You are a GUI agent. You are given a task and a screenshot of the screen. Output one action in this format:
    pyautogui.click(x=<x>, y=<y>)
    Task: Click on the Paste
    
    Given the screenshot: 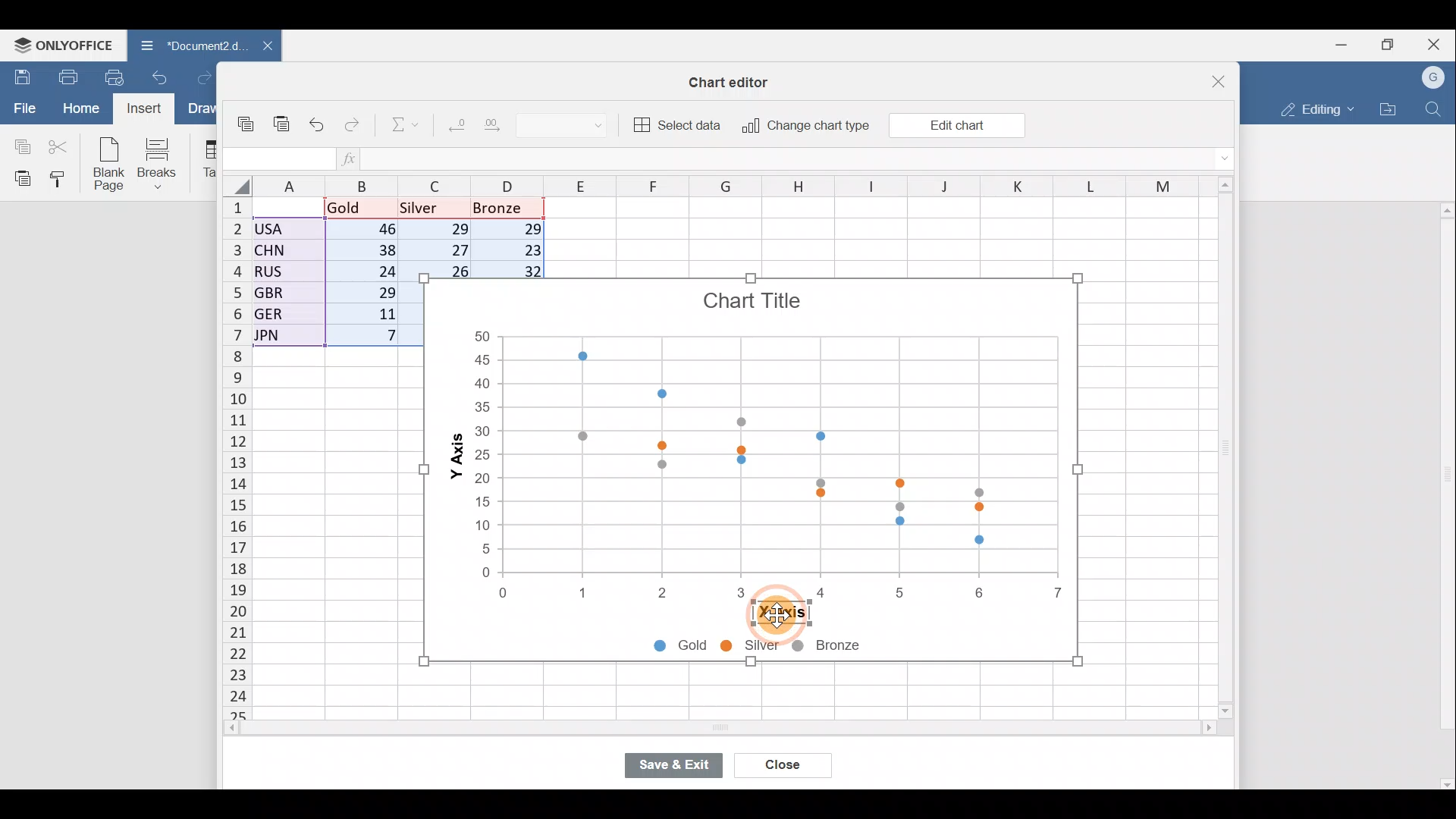 What is the action you would take?
    pyautogui.click(x=19, y=178)
    